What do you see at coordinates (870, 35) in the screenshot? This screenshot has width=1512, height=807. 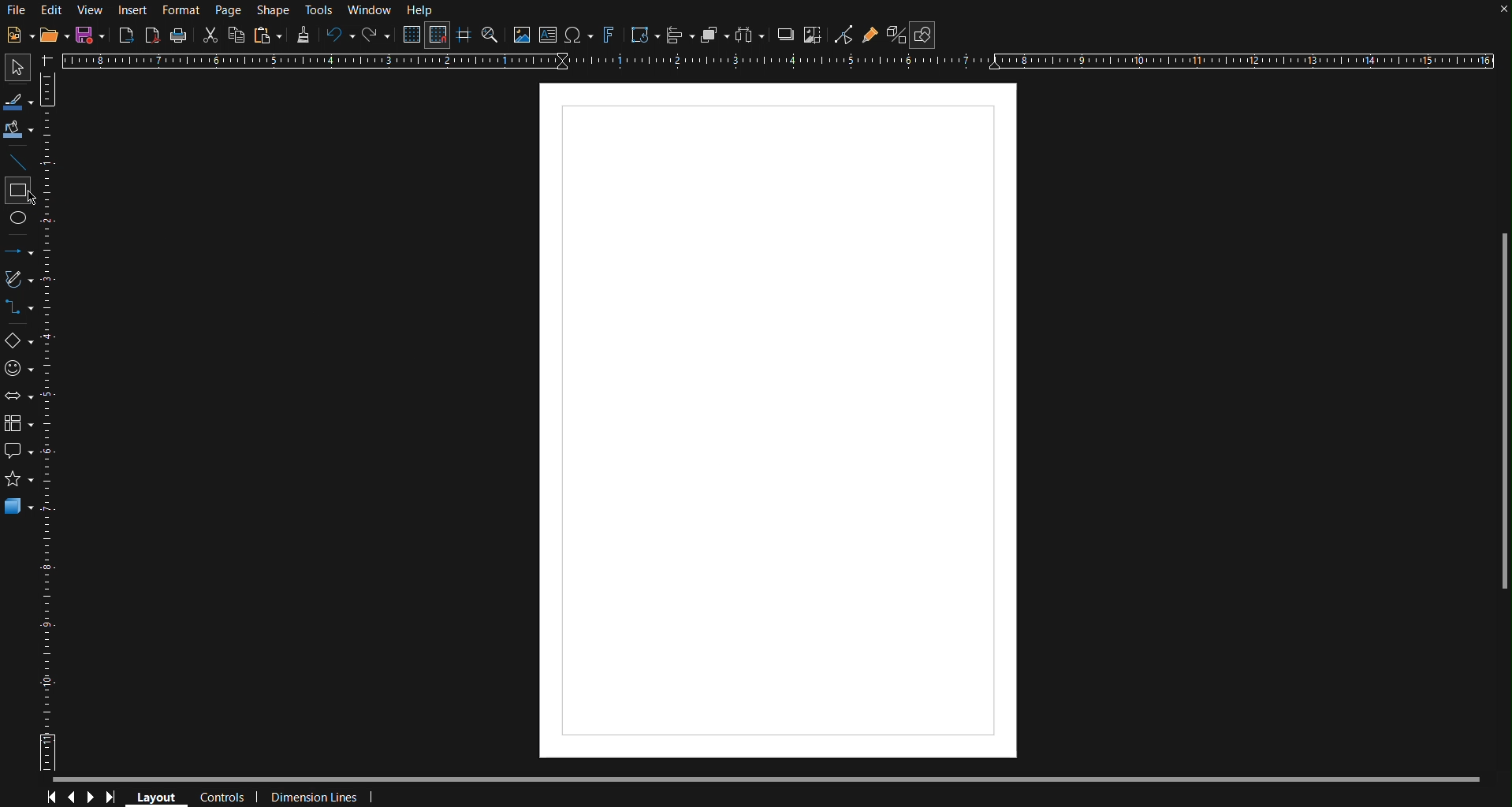 I see `Show Gluepoints` at bounding box center [870, 35].